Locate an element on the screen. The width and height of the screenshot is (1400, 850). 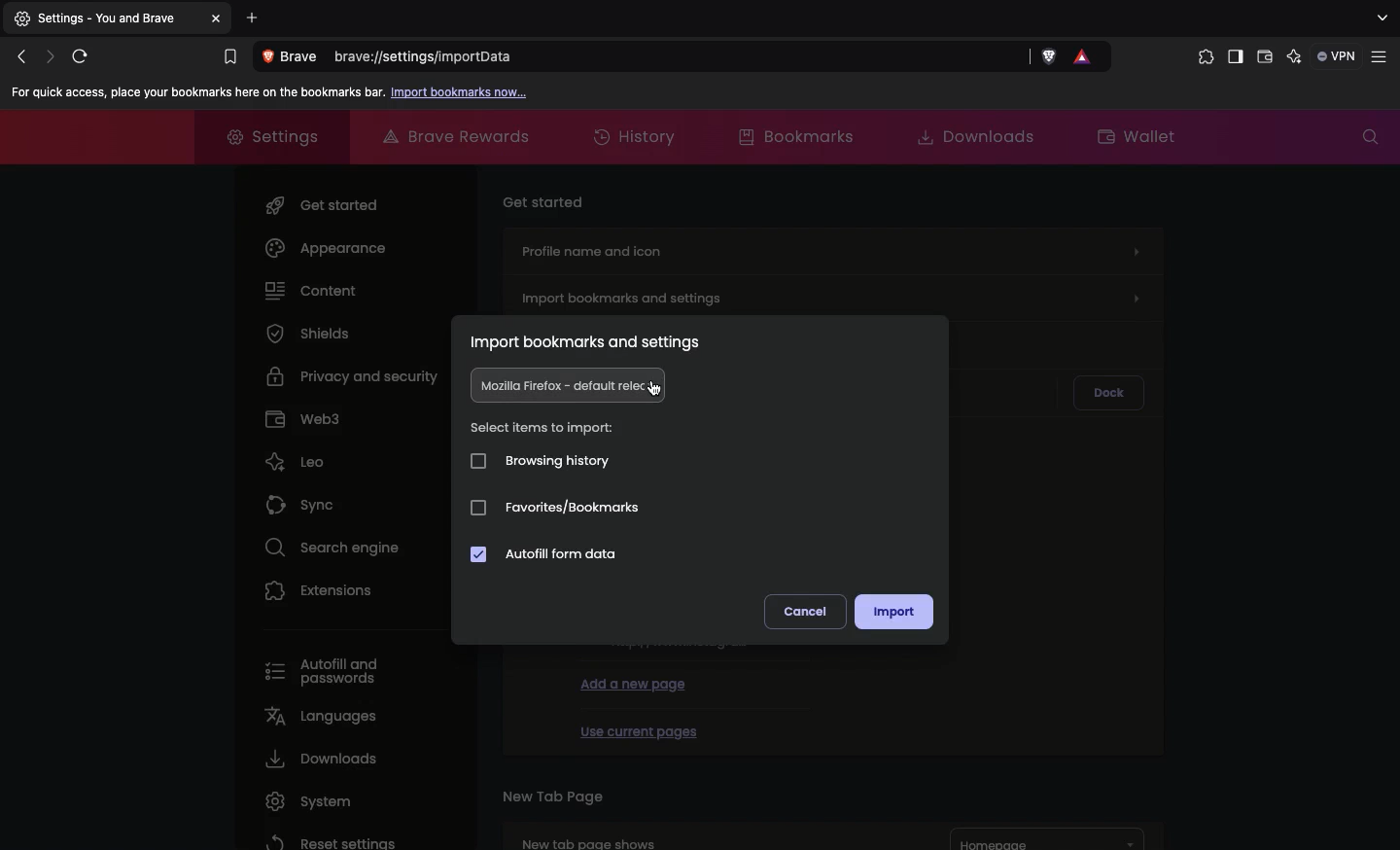
Wallet is located at coordinates (1265, 59).